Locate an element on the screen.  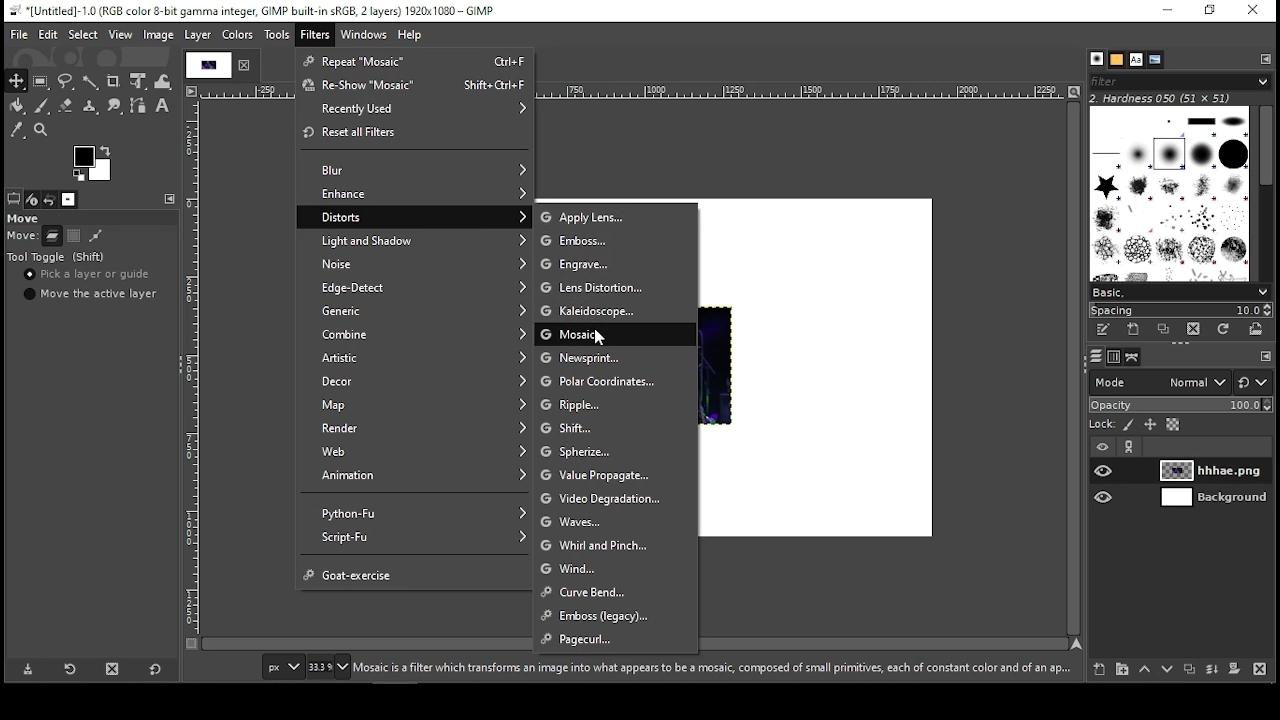
zoom tool is located at coordinates (41, 130).